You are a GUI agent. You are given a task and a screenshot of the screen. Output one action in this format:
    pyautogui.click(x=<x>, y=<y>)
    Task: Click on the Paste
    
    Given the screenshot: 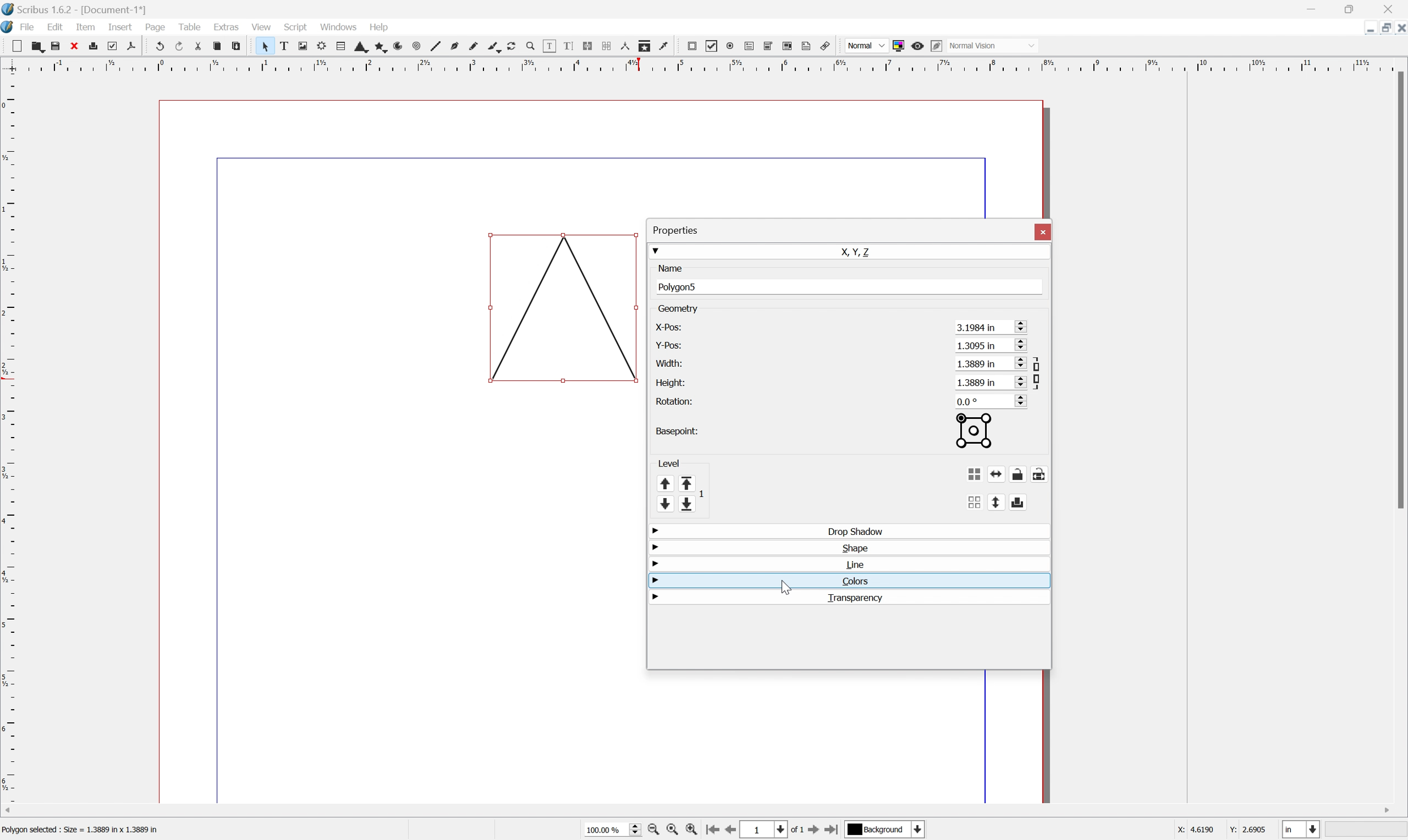 What is the action you would take?
    pyautogui.click(x=241, y=47)
    